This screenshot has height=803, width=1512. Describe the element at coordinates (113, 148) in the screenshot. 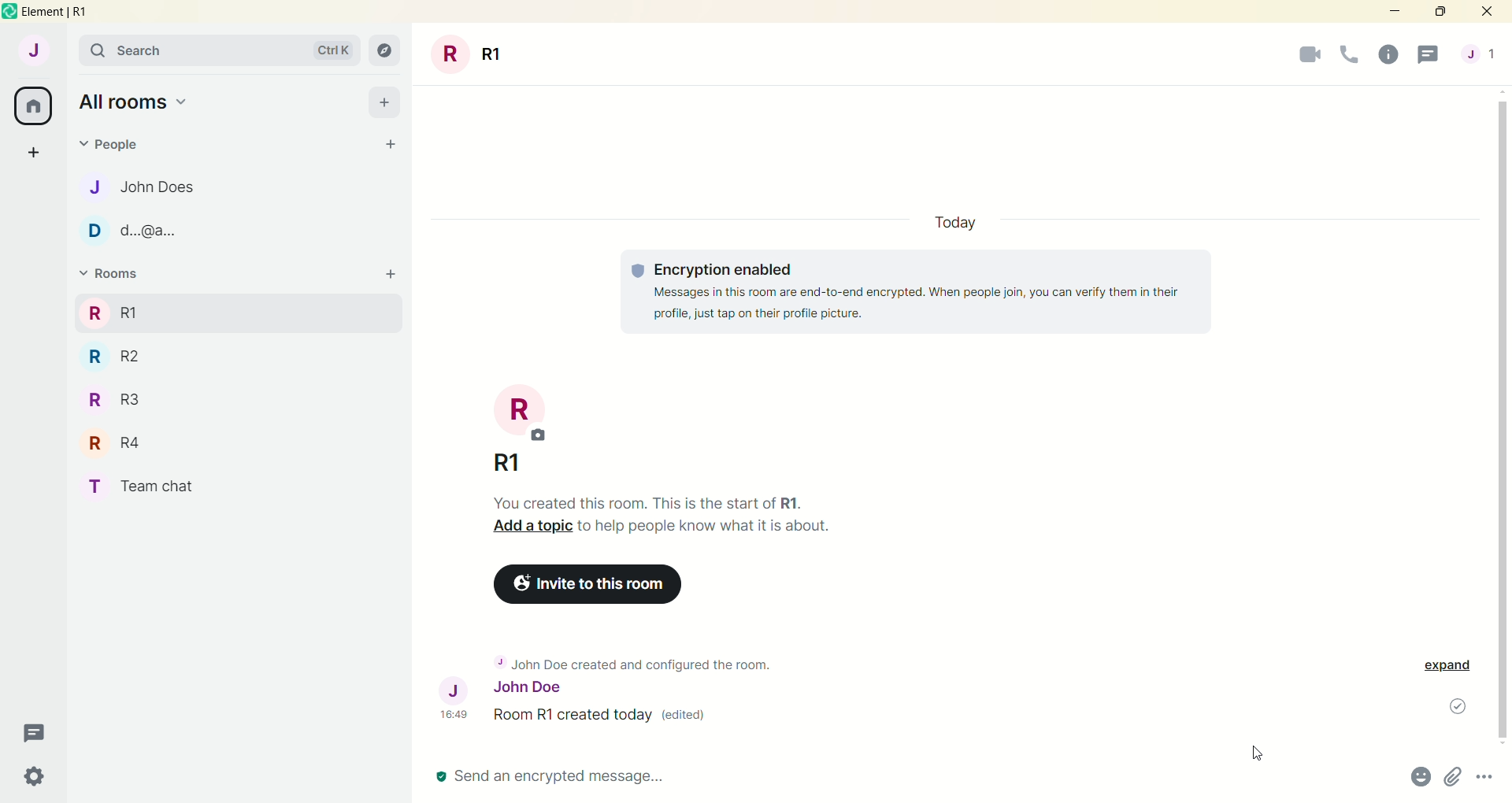

I see `people` at that location.